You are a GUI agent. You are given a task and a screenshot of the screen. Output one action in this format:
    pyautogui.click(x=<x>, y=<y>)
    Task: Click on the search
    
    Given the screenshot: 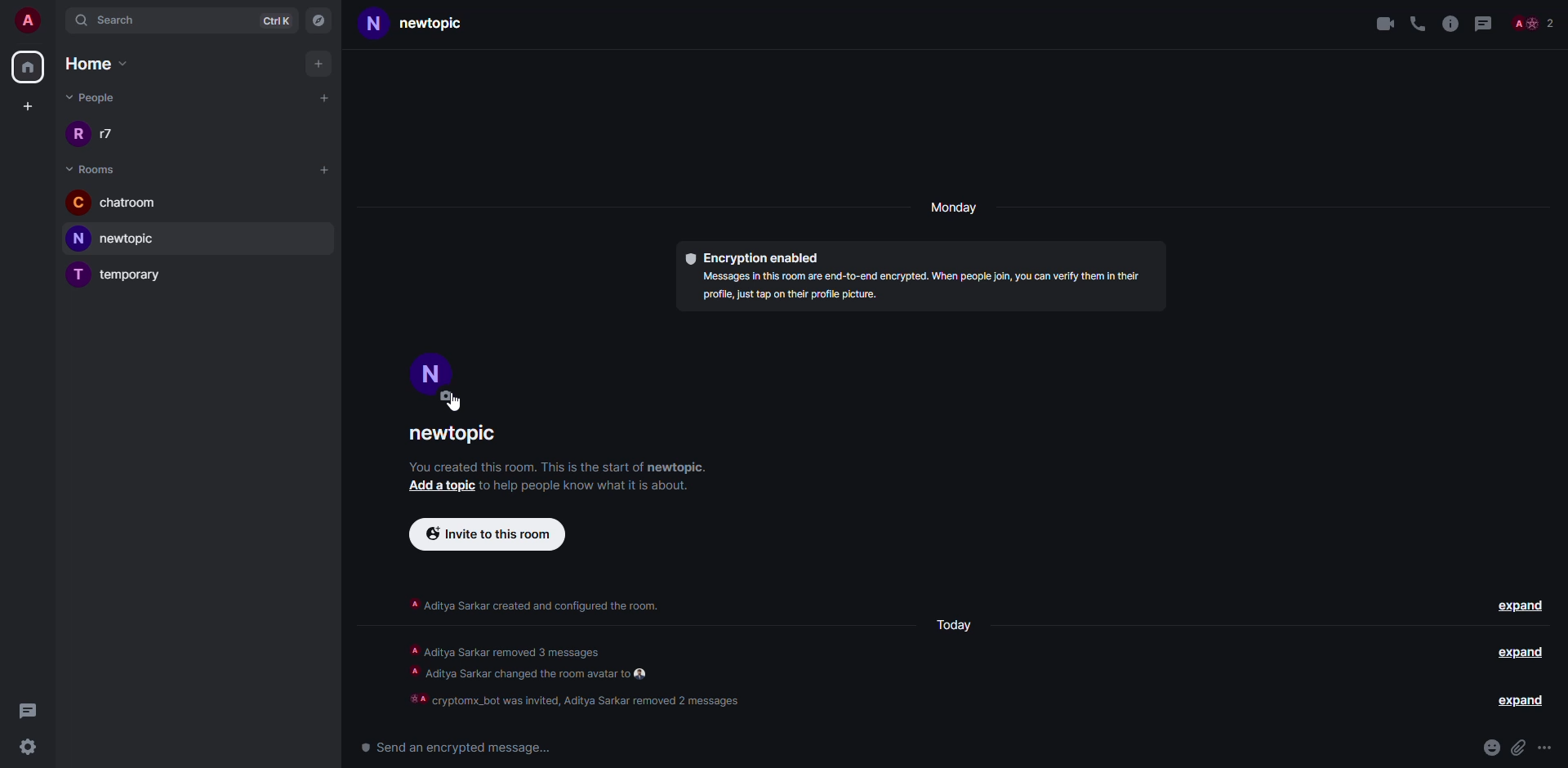 What is the action you would take?
    pyautogui.click(x=120, y=20)
    